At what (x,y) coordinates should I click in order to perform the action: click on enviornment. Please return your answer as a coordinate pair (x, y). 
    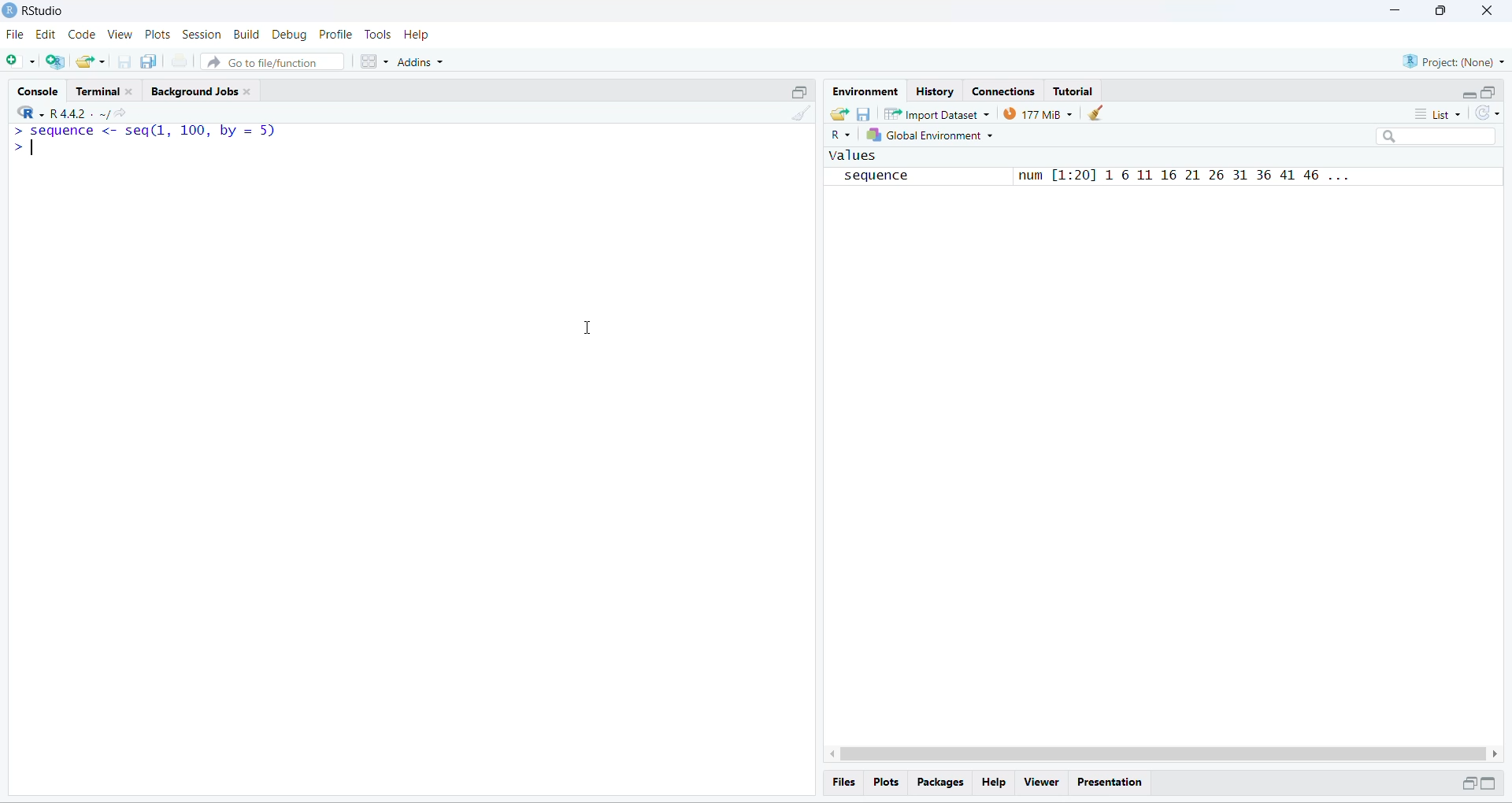
    Looking at the image, I should click on (867, 92).